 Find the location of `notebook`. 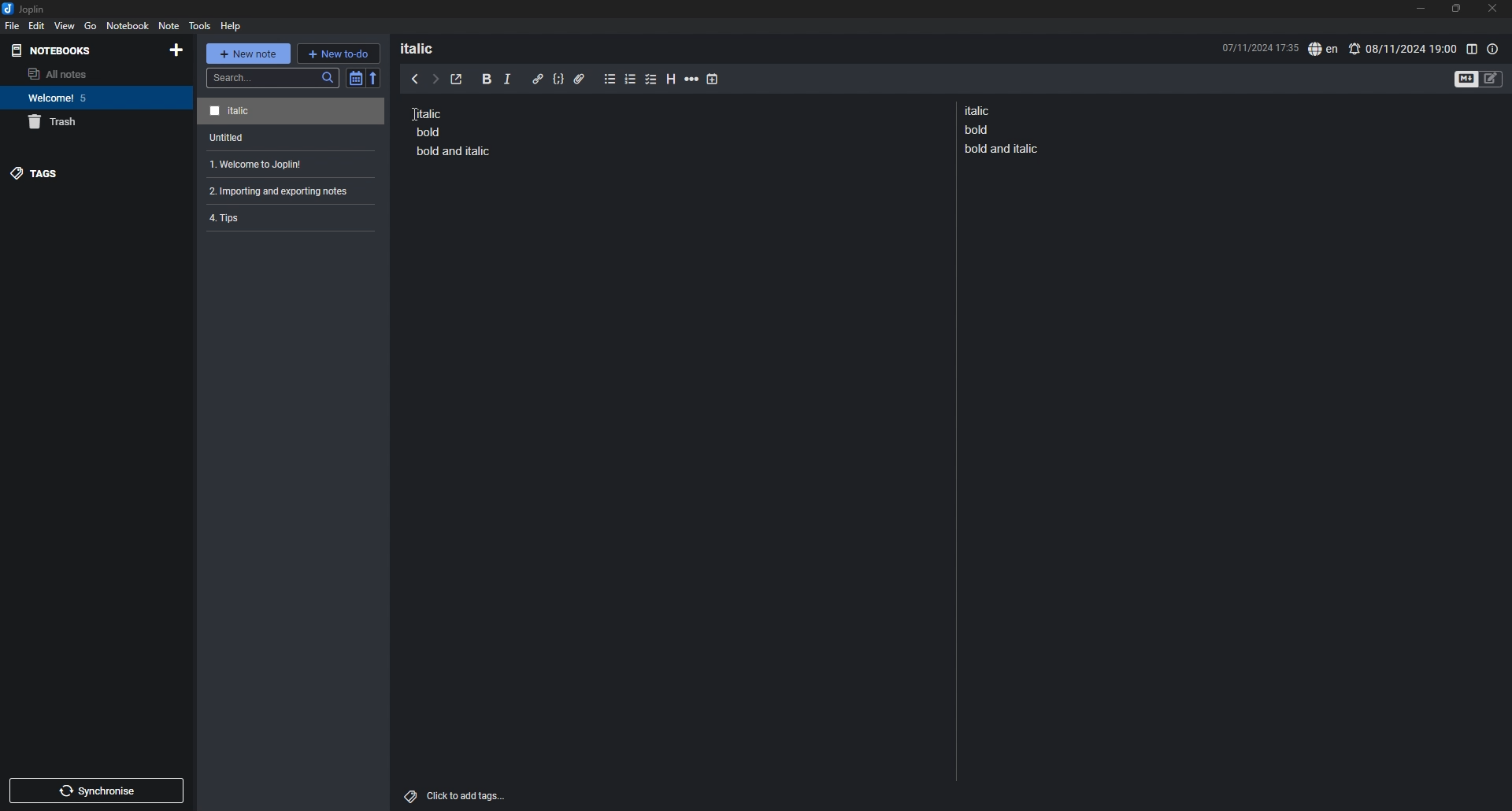

notebook is located at coordinates (94, 98).